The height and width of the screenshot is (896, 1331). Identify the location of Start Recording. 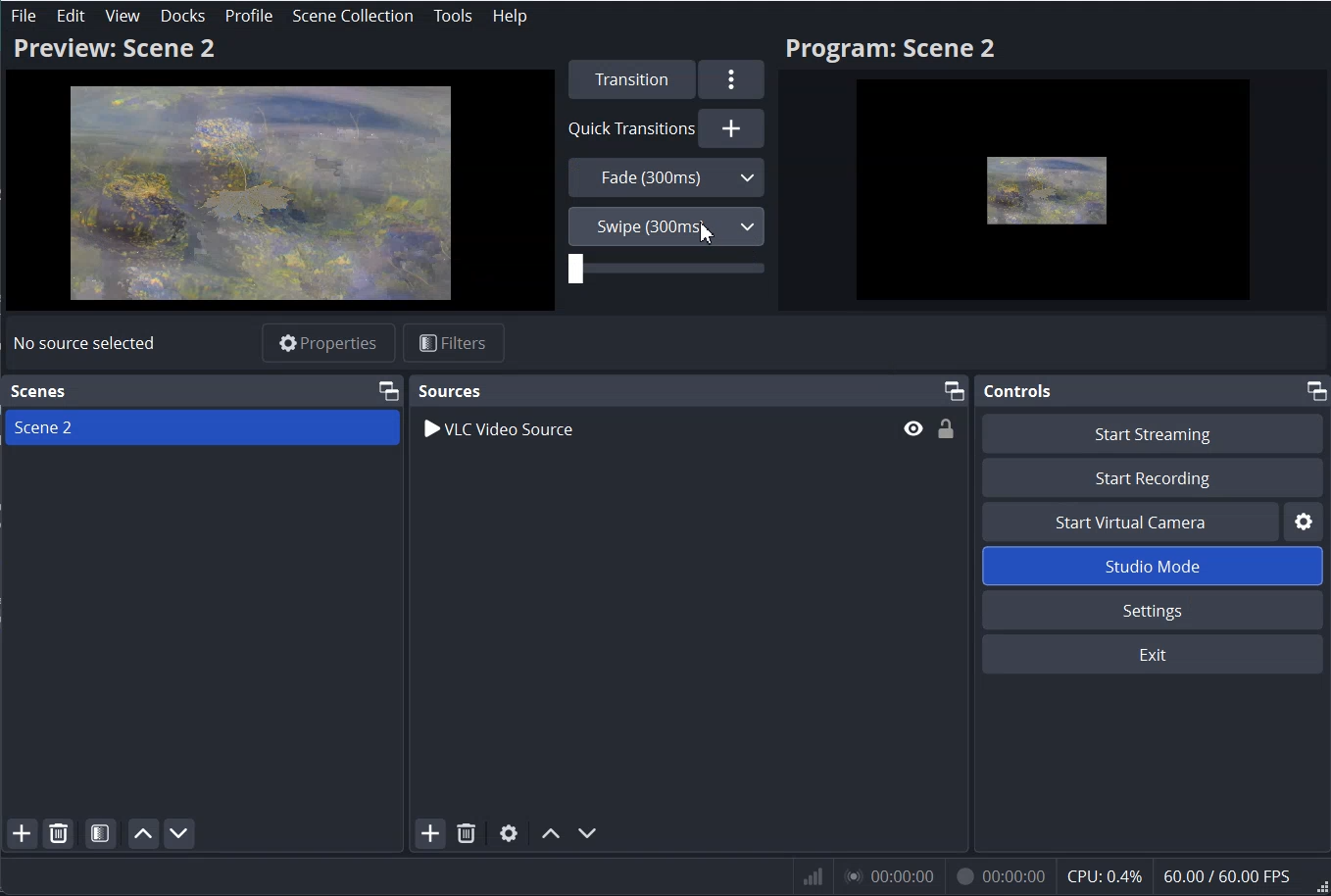
(1154, 476).